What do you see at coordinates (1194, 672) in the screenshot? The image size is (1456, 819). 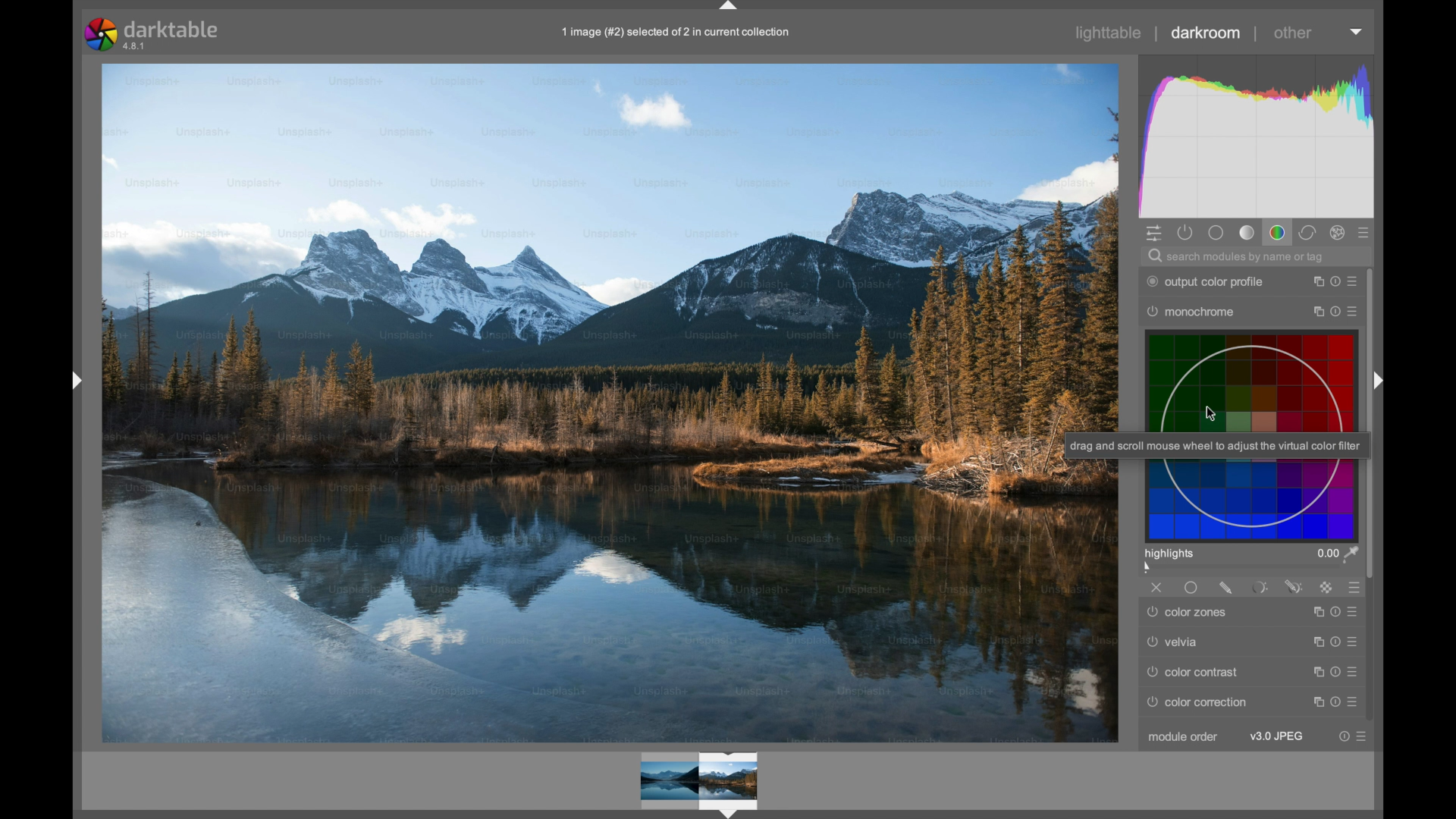 I see `color contrast` at bounding box center [1194, 672].